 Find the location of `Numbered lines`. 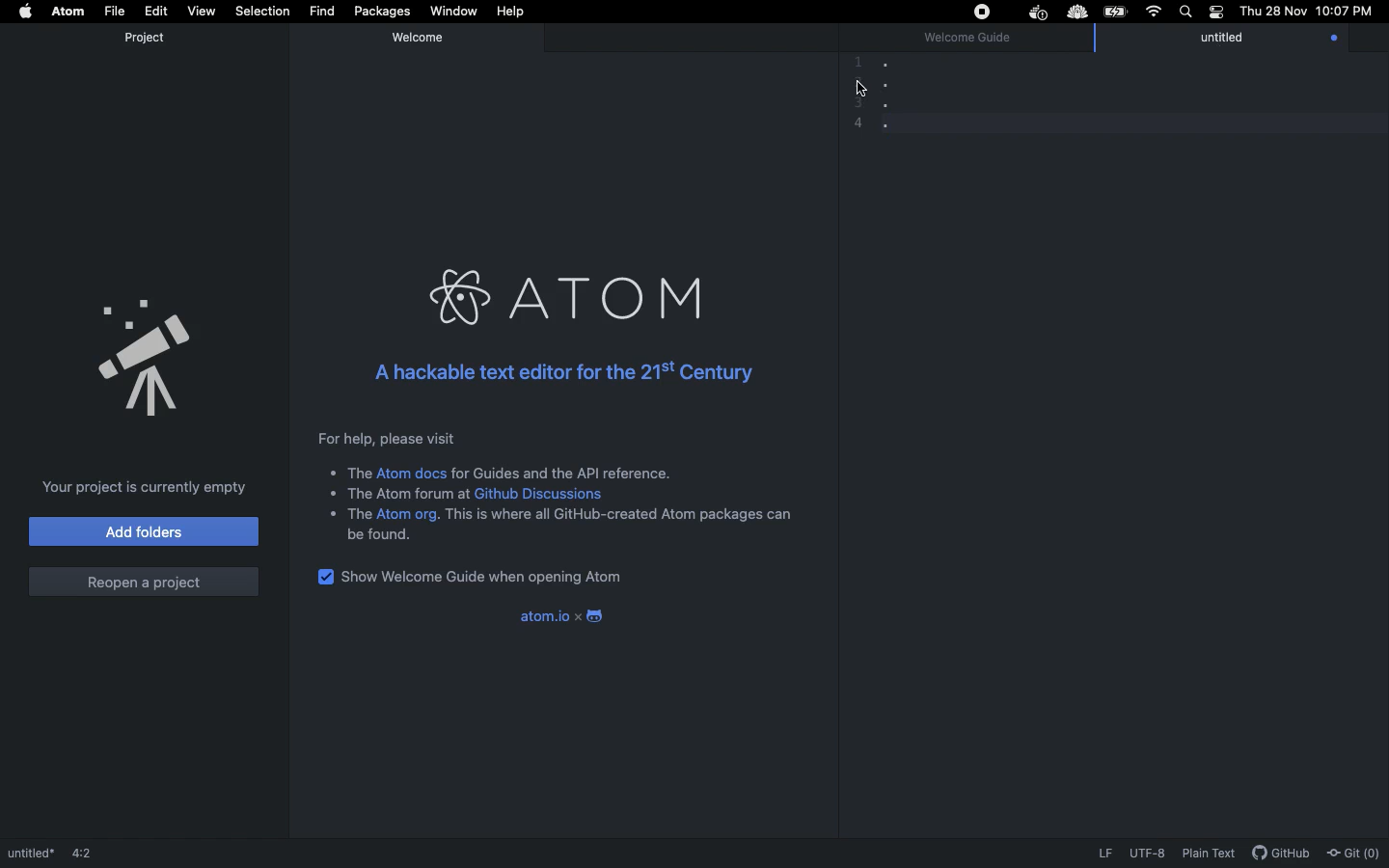

Numbered lines is located at coordinates (854, 95).